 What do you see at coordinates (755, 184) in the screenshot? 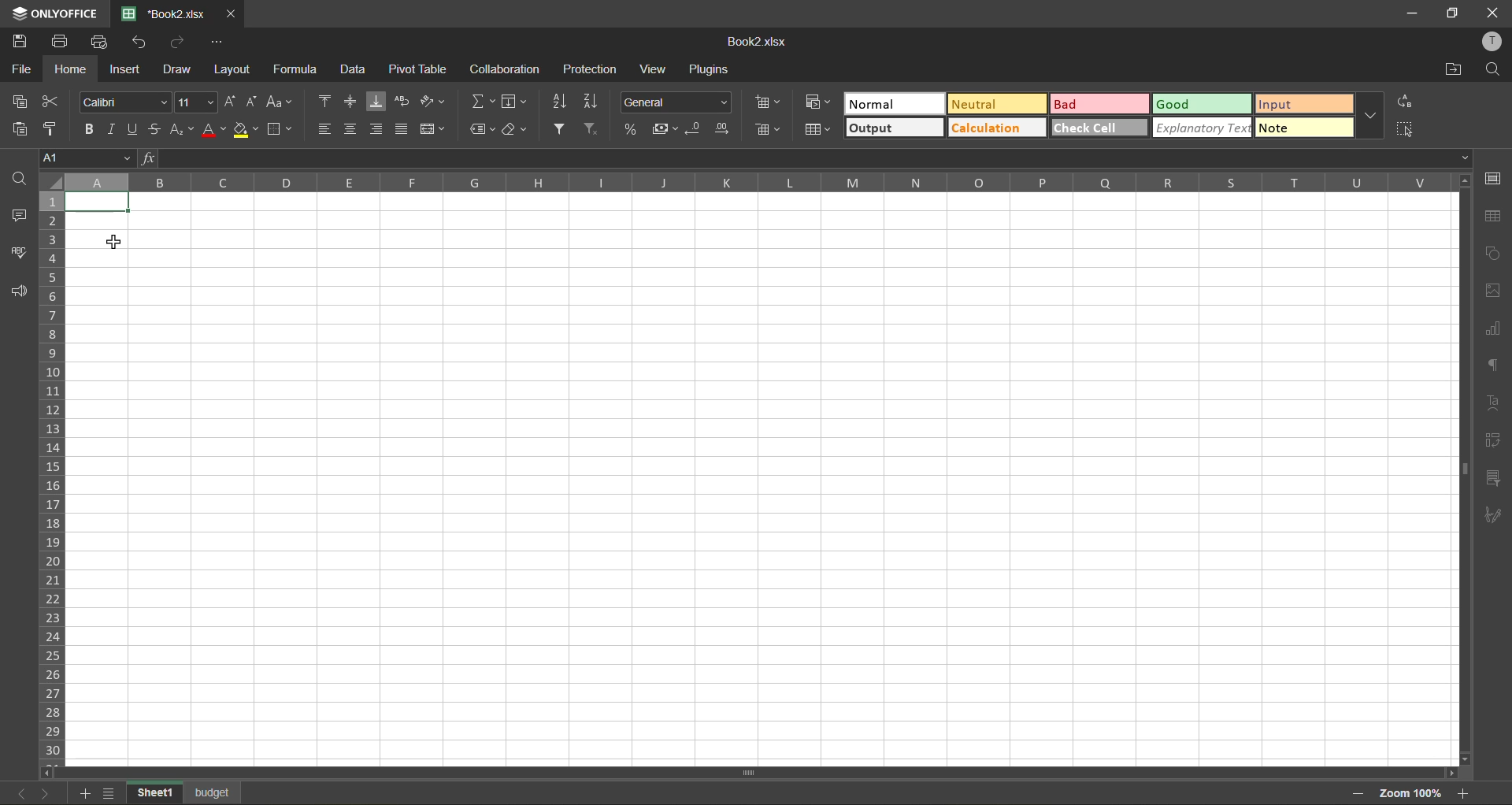
I see `column names` at bounding box center [755, 184].